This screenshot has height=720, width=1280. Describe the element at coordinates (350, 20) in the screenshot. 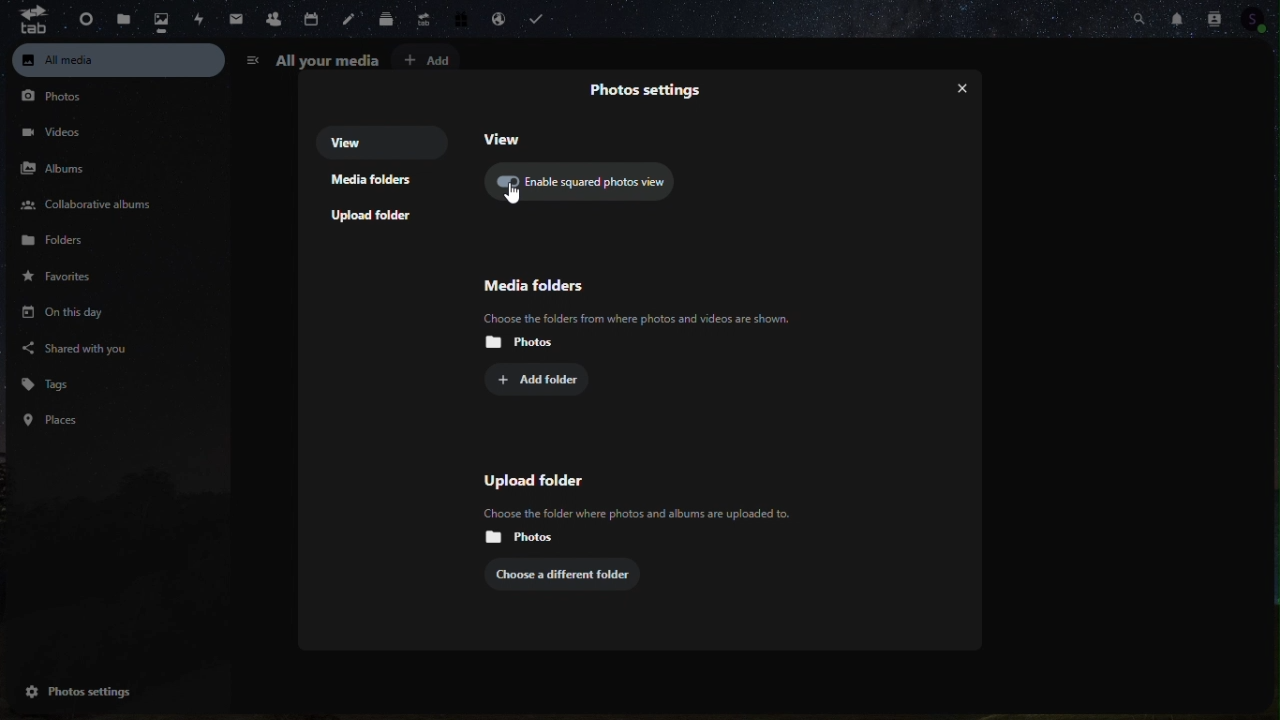

I see `notes` at that location.